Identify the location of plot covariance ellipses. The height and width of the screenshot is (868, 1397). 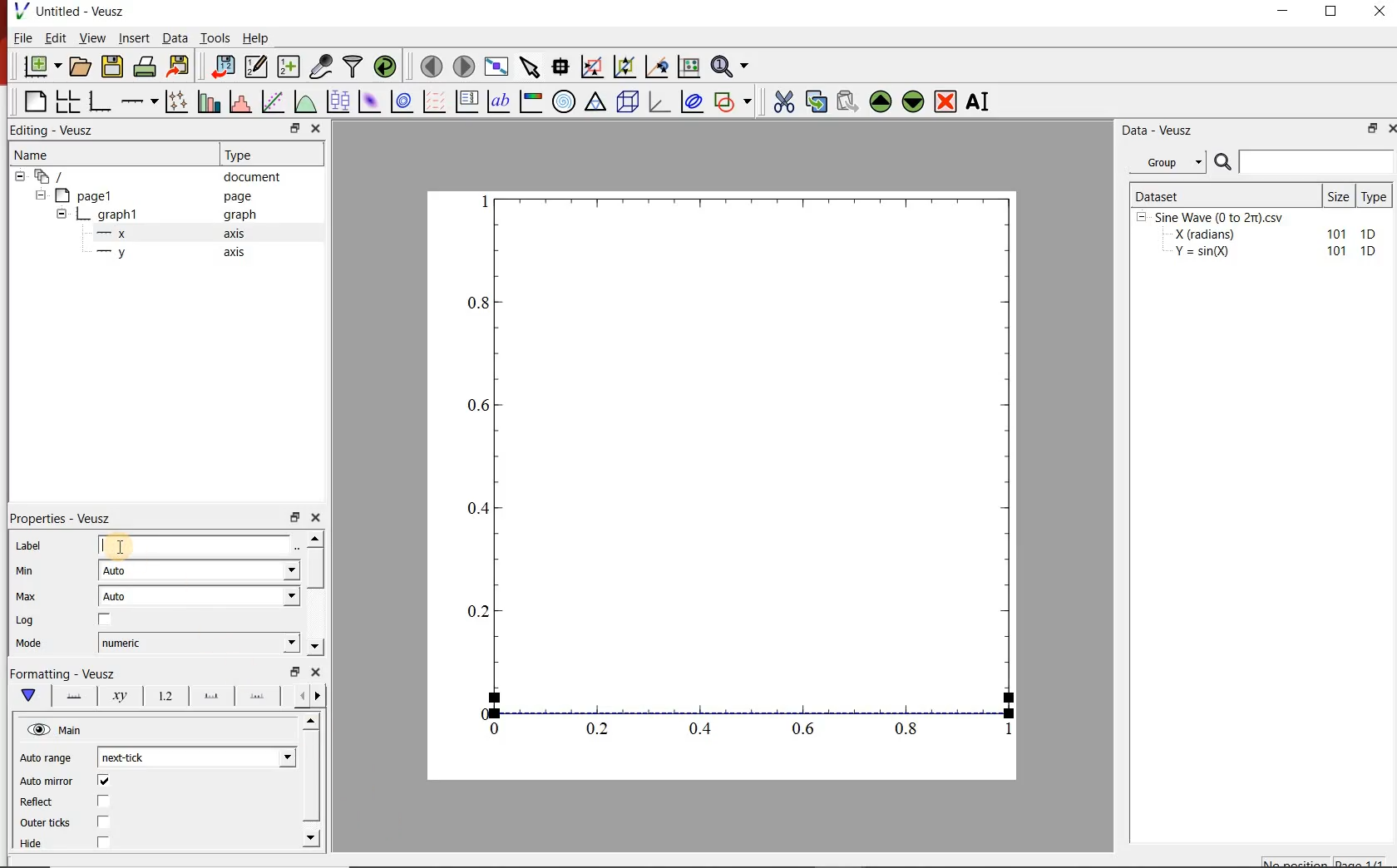
(691, 101).